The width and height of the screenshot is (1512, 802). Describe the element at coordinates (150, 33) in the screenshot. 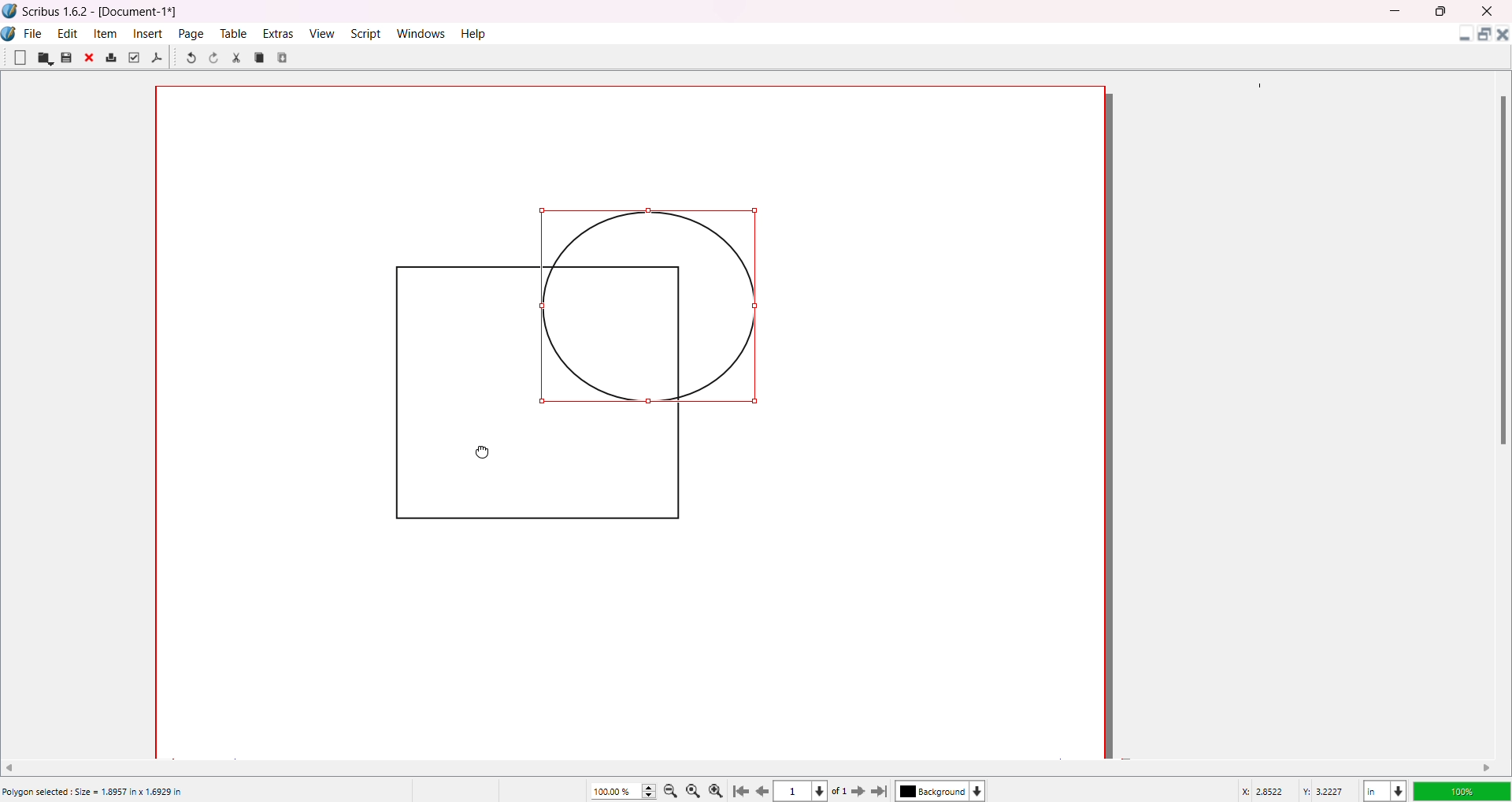

I see `Insert` at that location.